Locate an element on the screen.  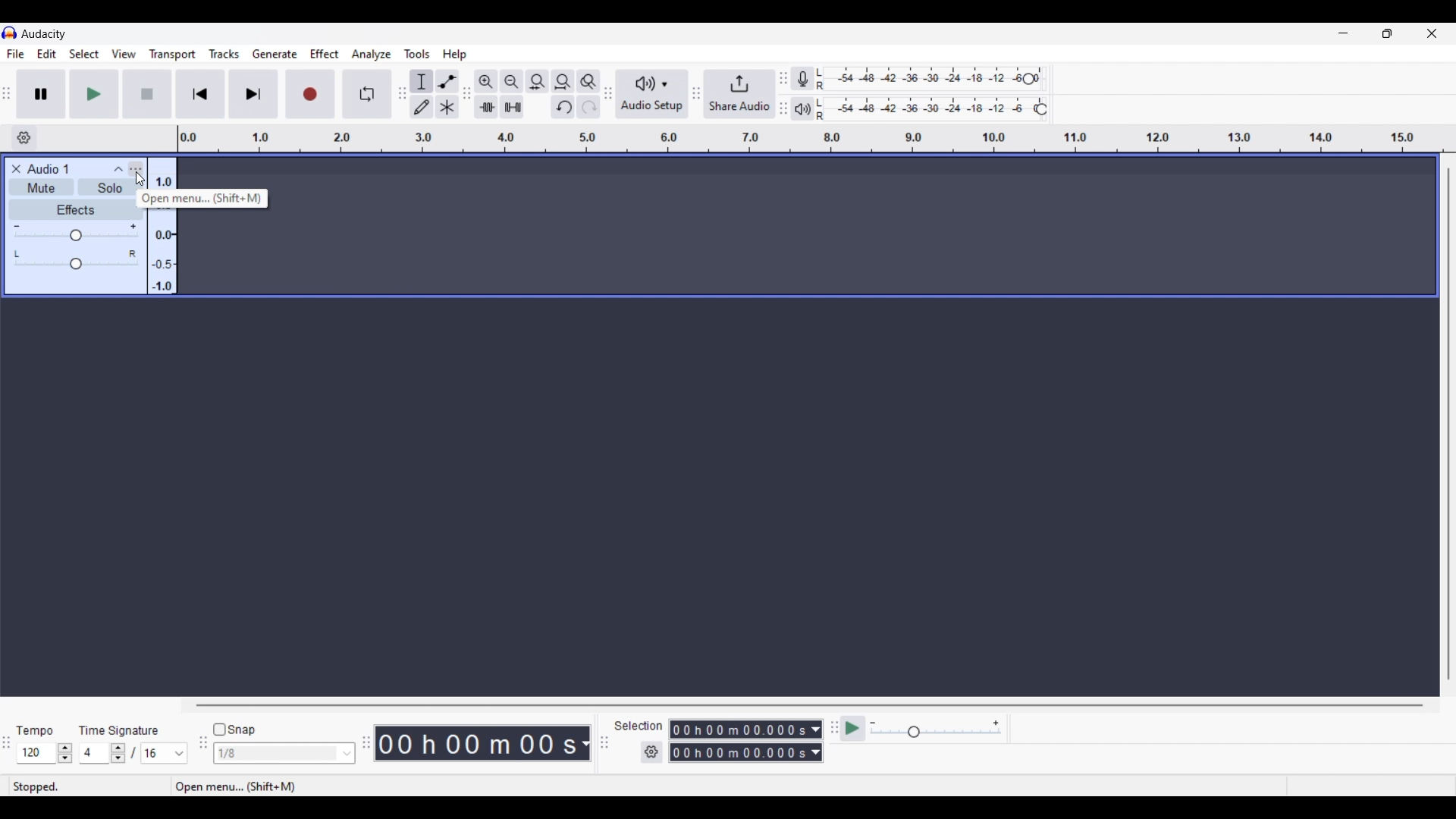
Selected time signature is located at coordinates (96, 754).